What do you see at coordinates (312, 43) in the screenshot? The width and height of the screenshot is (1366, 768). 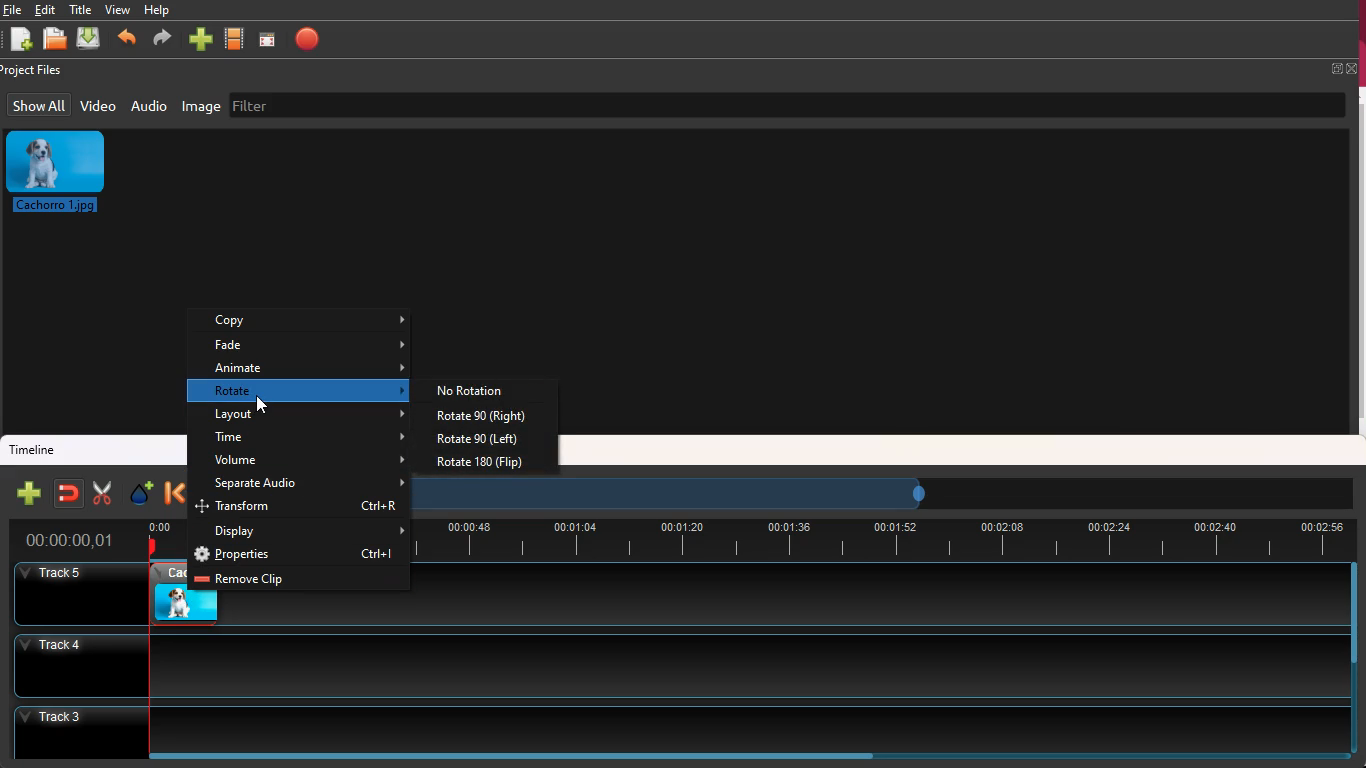 I see `stop` at bounding box center [312, 43].